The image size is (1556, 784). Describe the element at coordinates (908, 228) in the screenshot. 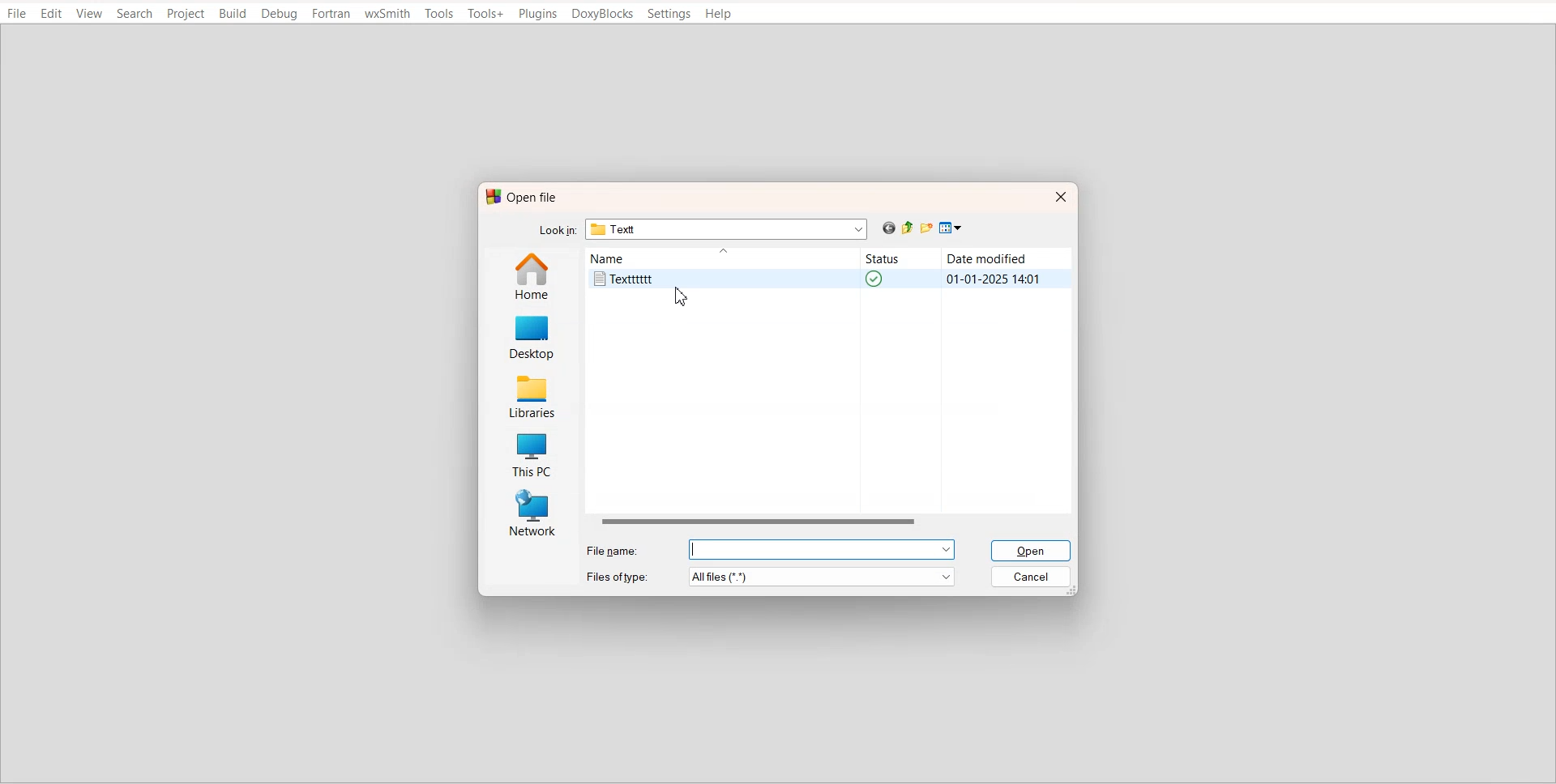

I see `Up one level` at that location.